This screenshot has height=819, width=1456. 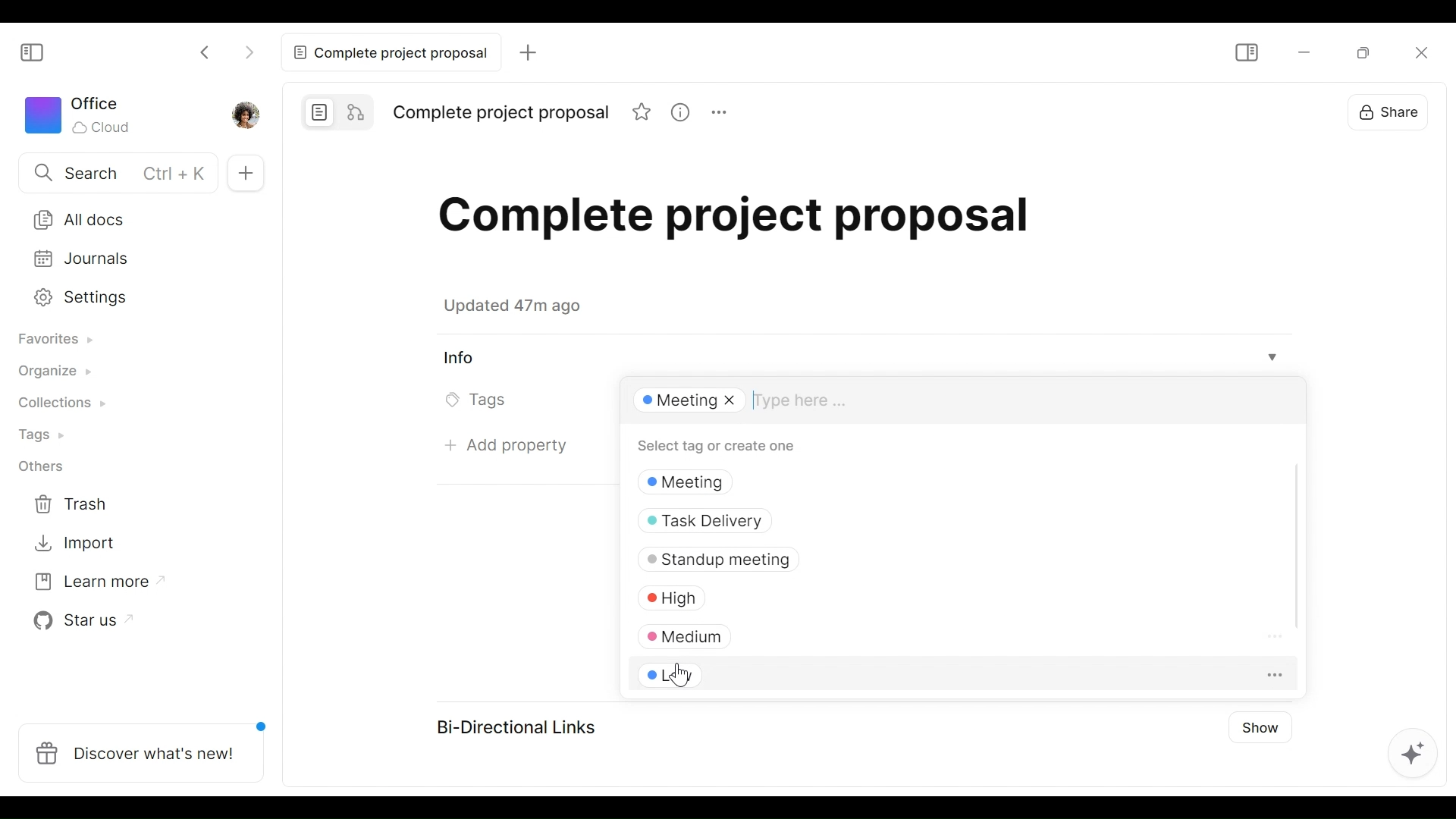 I want to click on Complete project proposal, so click(x=388, y=52).